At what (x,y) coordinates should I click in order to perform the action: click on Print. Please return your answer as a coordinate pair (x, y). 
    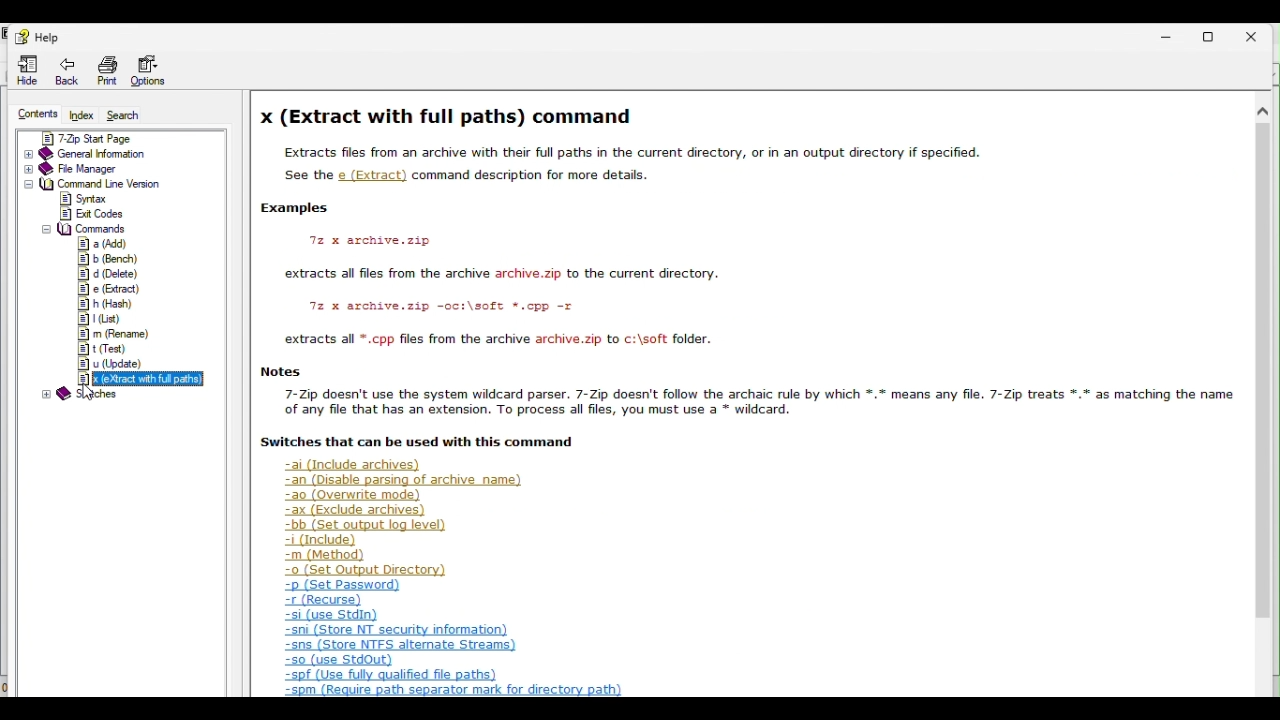
    Looking at the image, I should click on (105, 73).